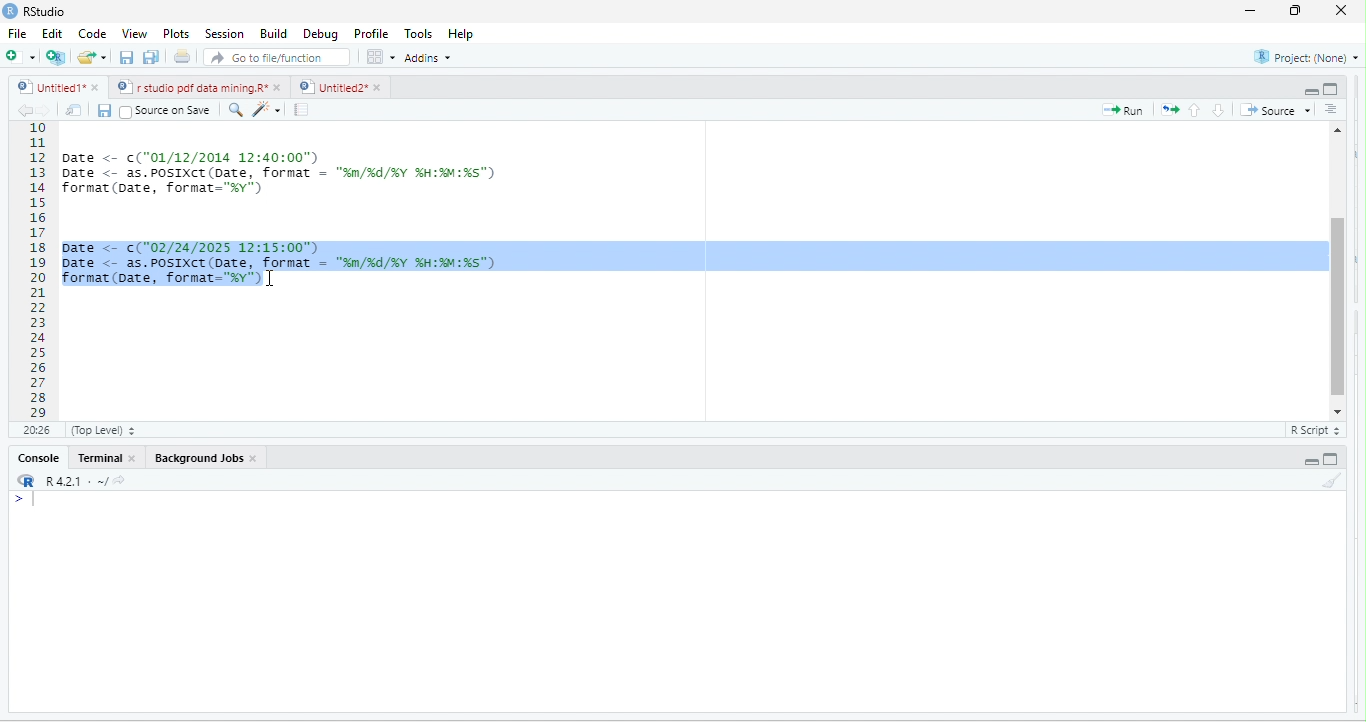 The image size is (1366, 722). Describe the element at coordinates (12, 10) in the screenshot. I see `rs studio logo` at that location.